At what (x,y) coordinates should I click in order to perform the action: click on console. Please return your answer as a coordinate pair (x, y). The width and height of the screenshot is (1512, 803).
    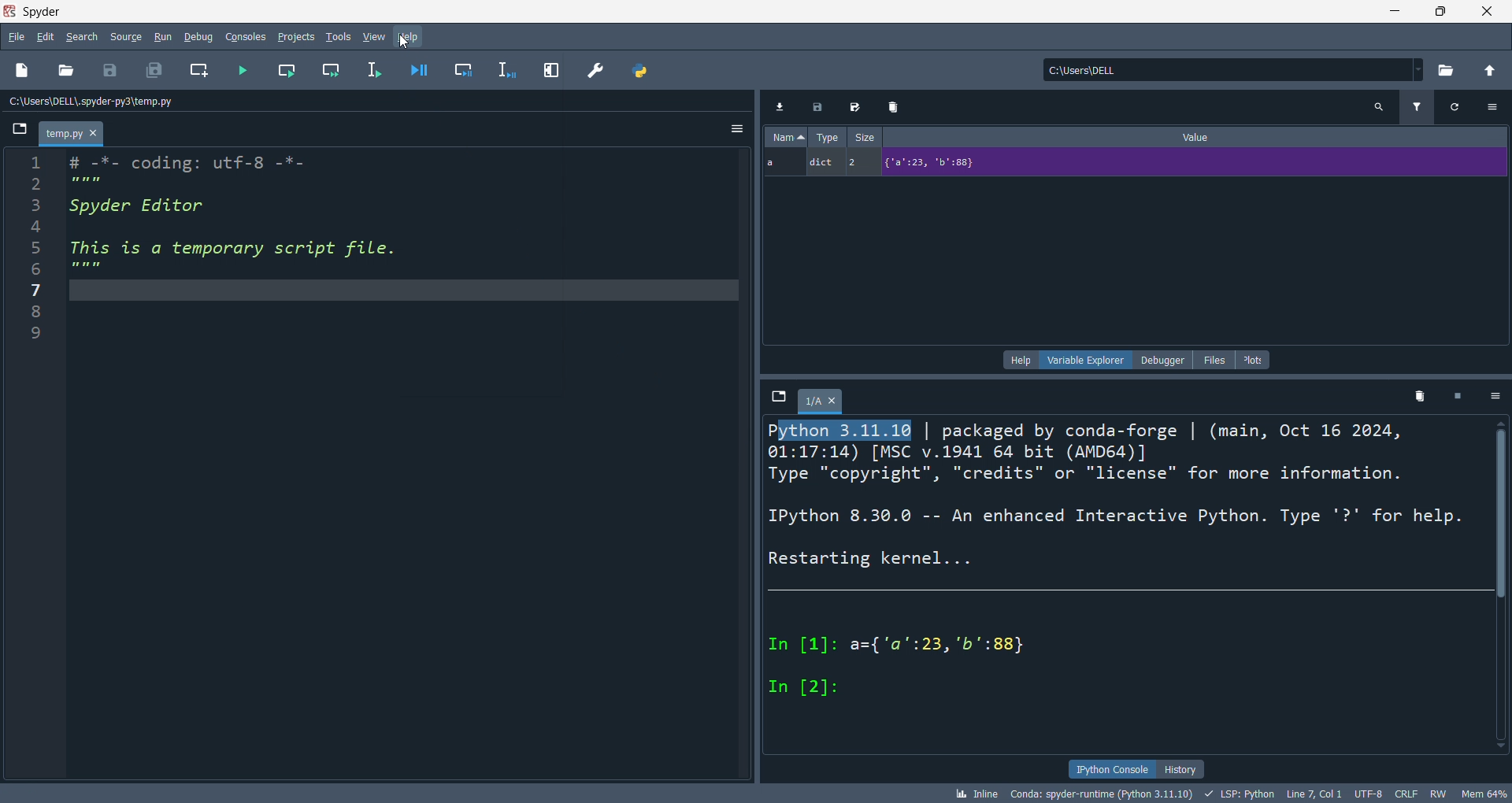
    Looking at the image, I should click on (246, 38).